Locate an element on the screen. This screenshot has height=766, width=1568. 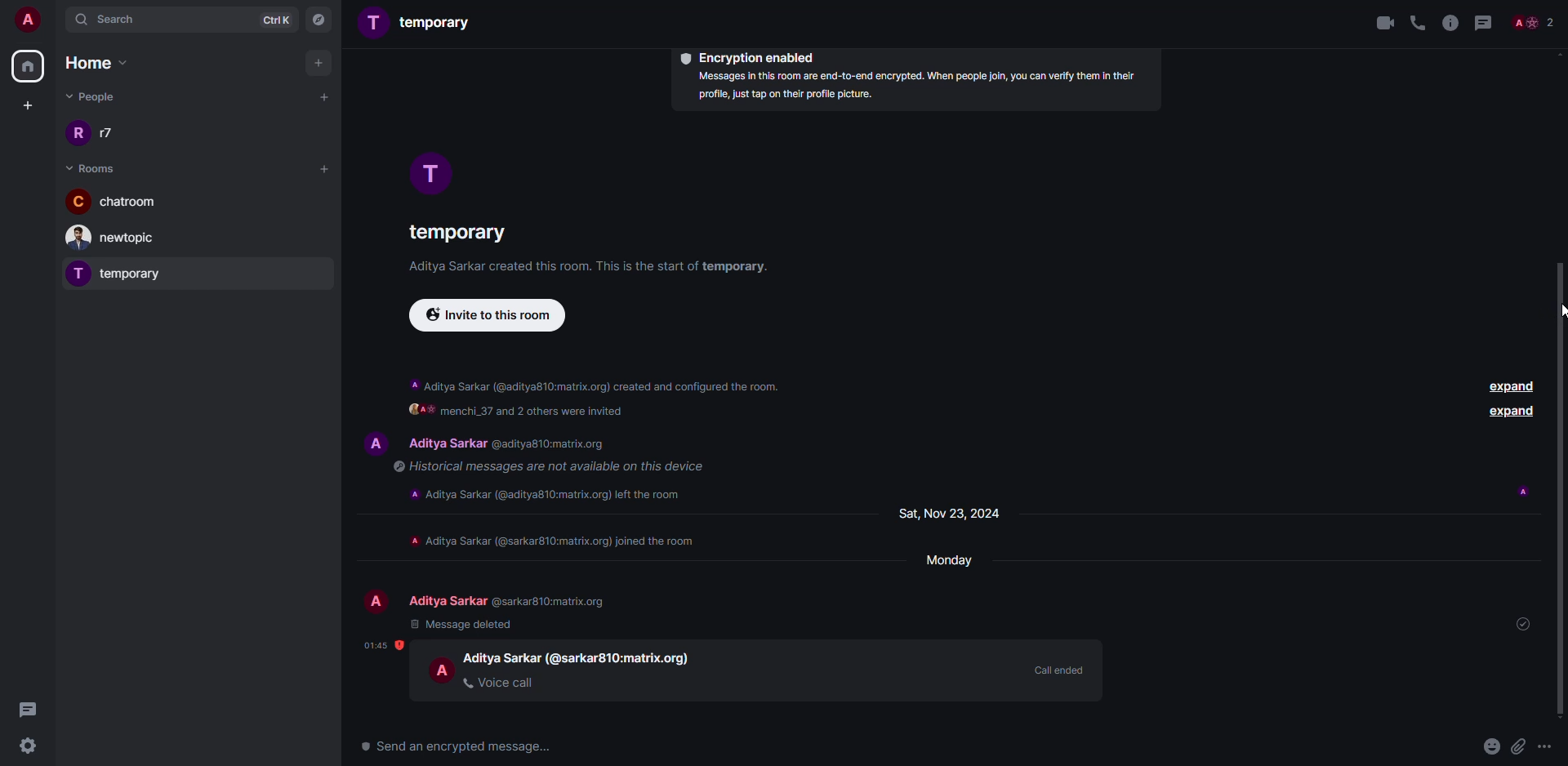
seen is located at coordinates (1526, 491).